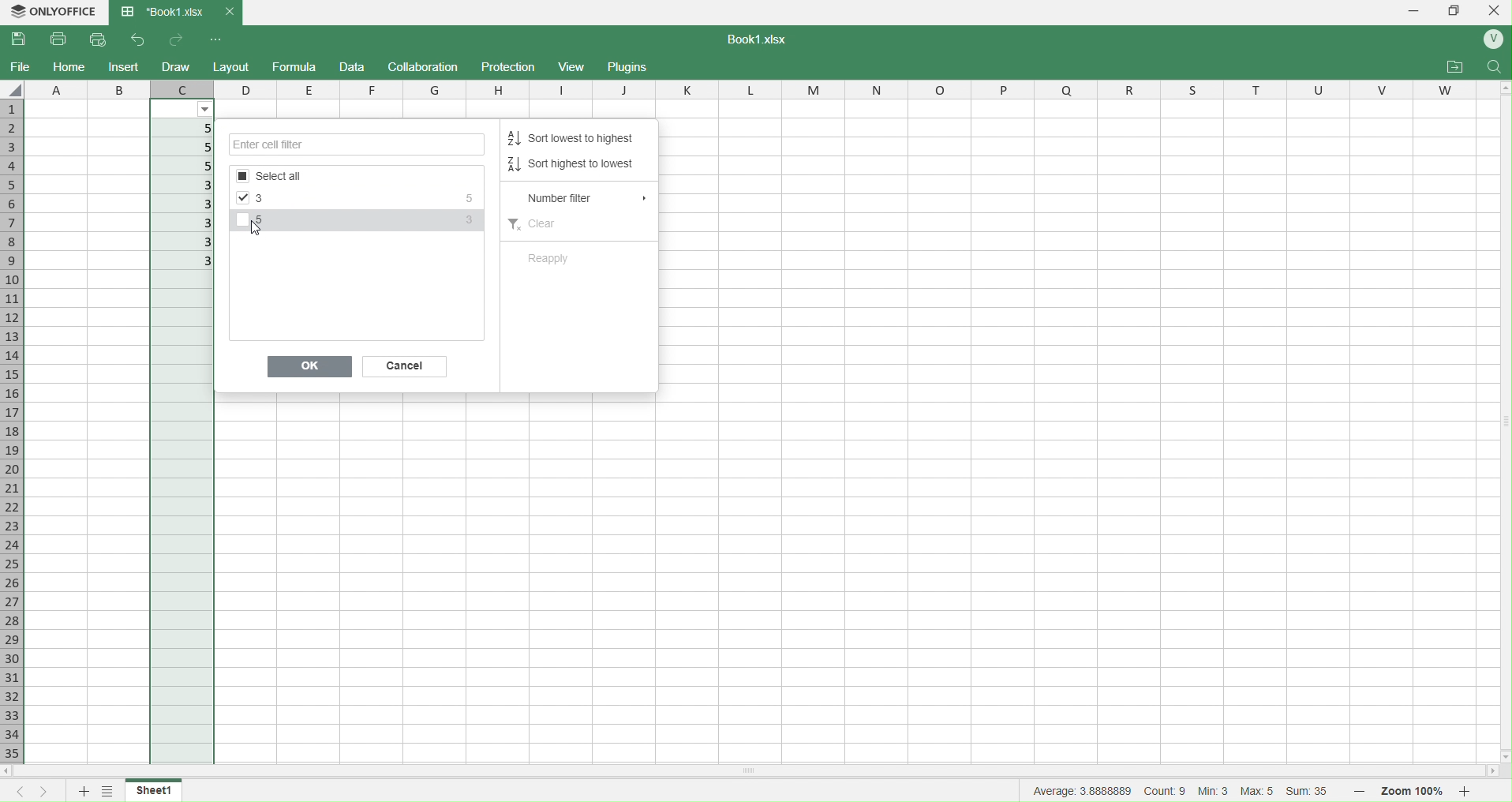 The image size is (1512, 802). Describe the element at coordinates (185, 224) in the screenshot. I see `3` at that location.